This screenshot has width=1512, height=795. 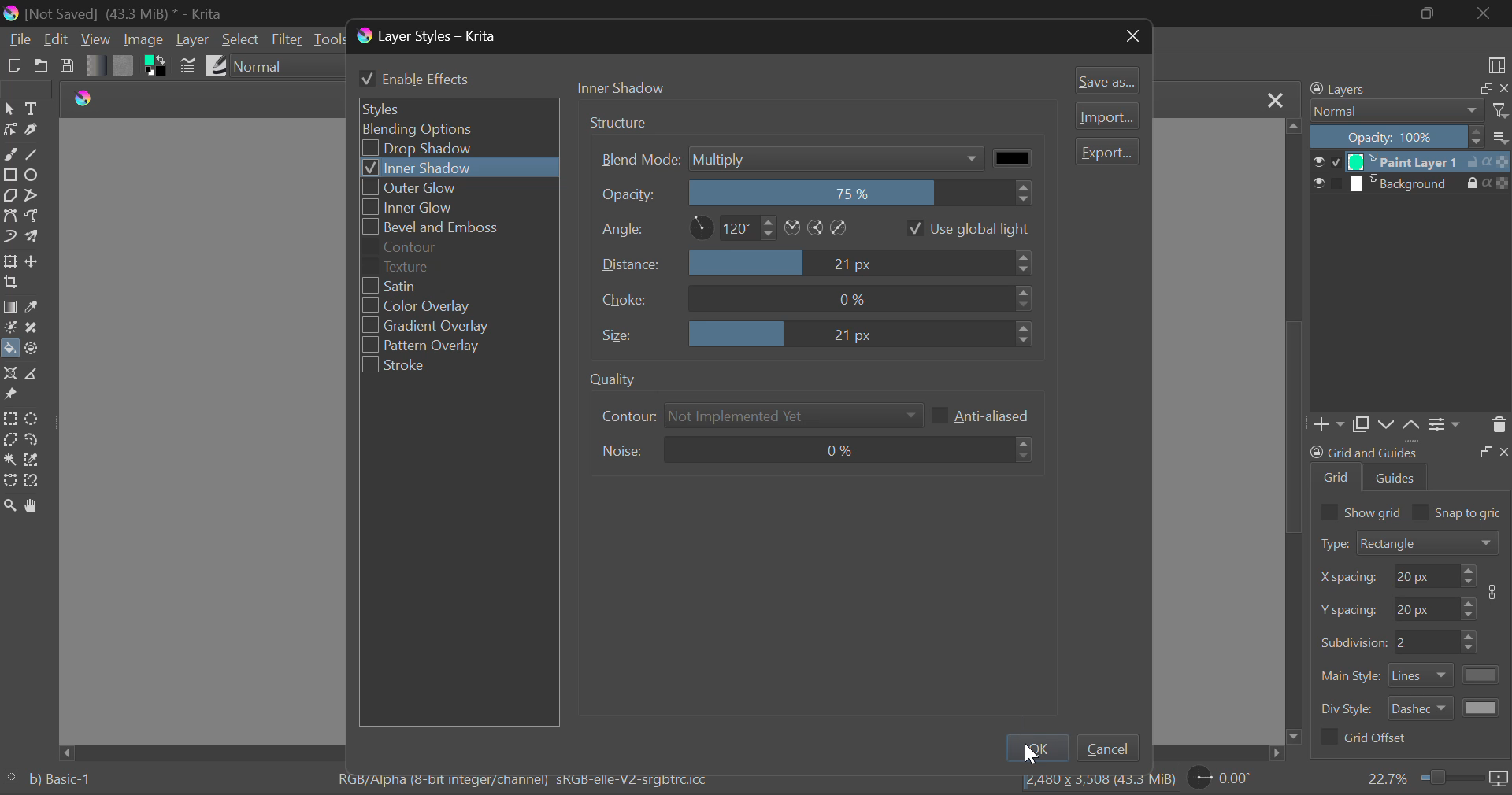 I want to click on Grid Type, so click(x=1411, y=545).